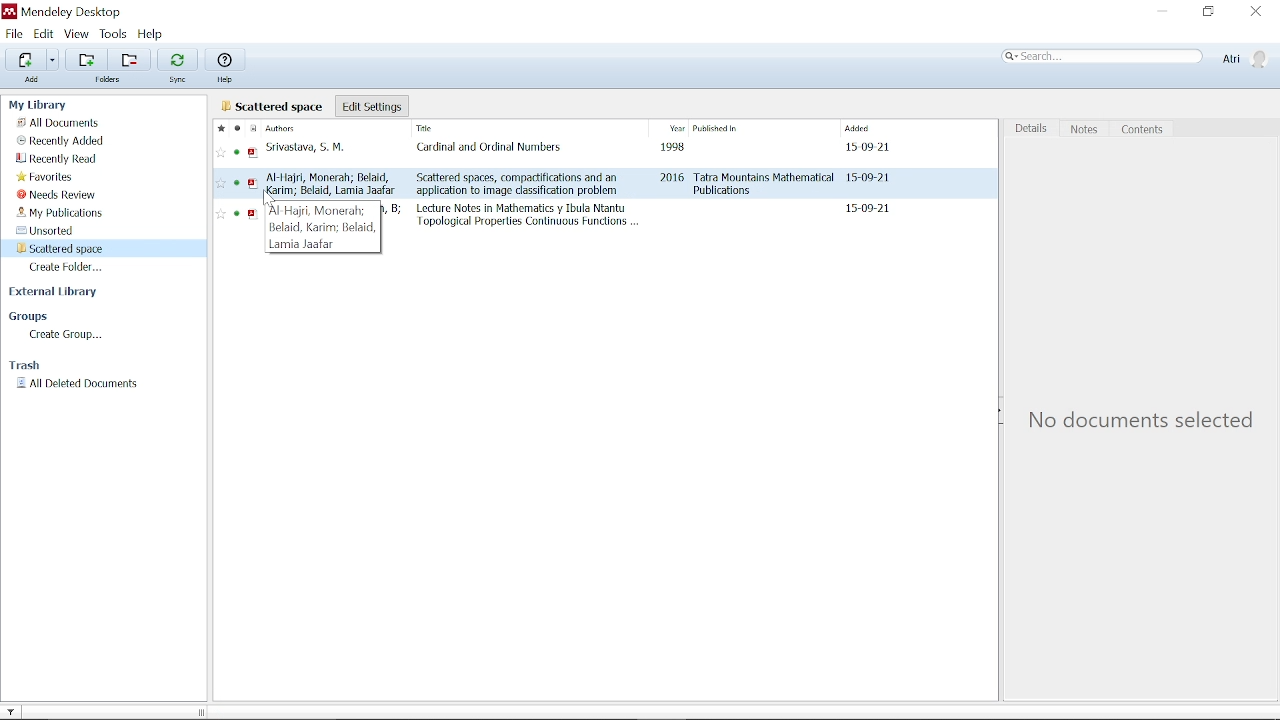 Image resolution: width=1280 pixels, height=720 pixels. What do you see at coordinates (236, 190) in the screenshot?
I see `Read/unread status` at bounding box center [236, 190].